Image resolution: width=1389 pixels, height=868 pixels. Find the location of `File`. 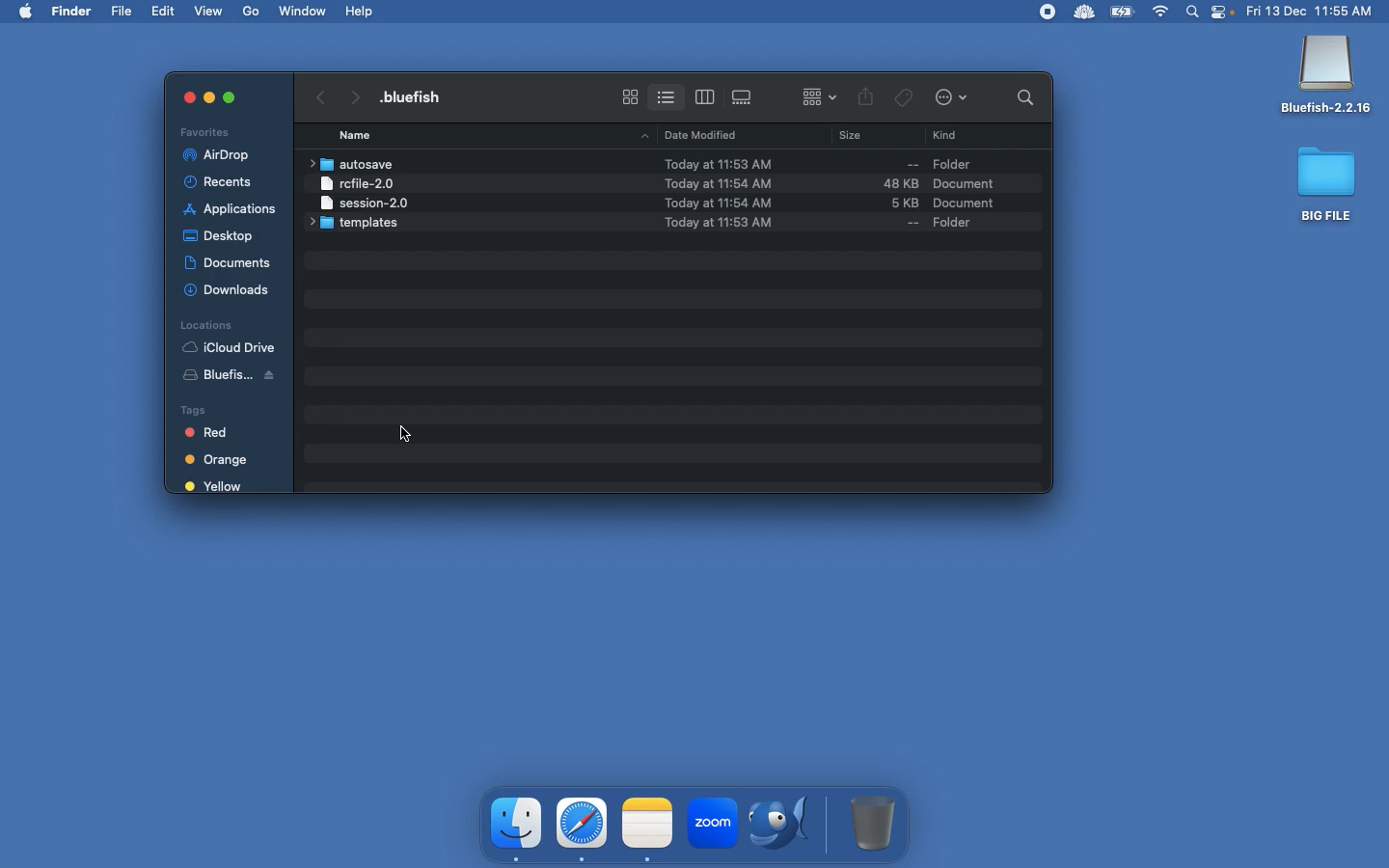

File is located at coordinates (123, 12).